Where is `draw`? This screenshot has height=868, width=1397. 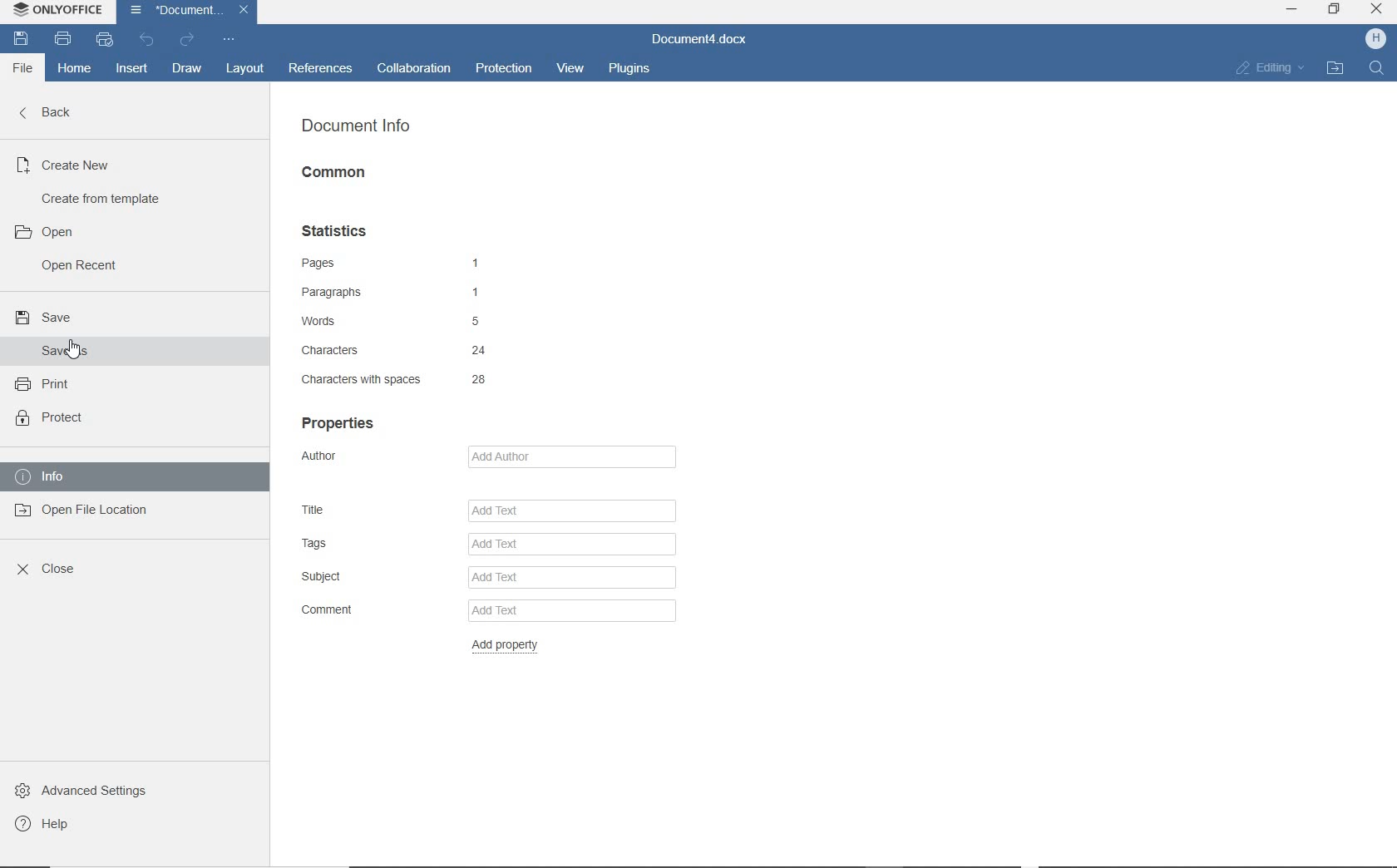
draw is located at coordinates (187, 68).